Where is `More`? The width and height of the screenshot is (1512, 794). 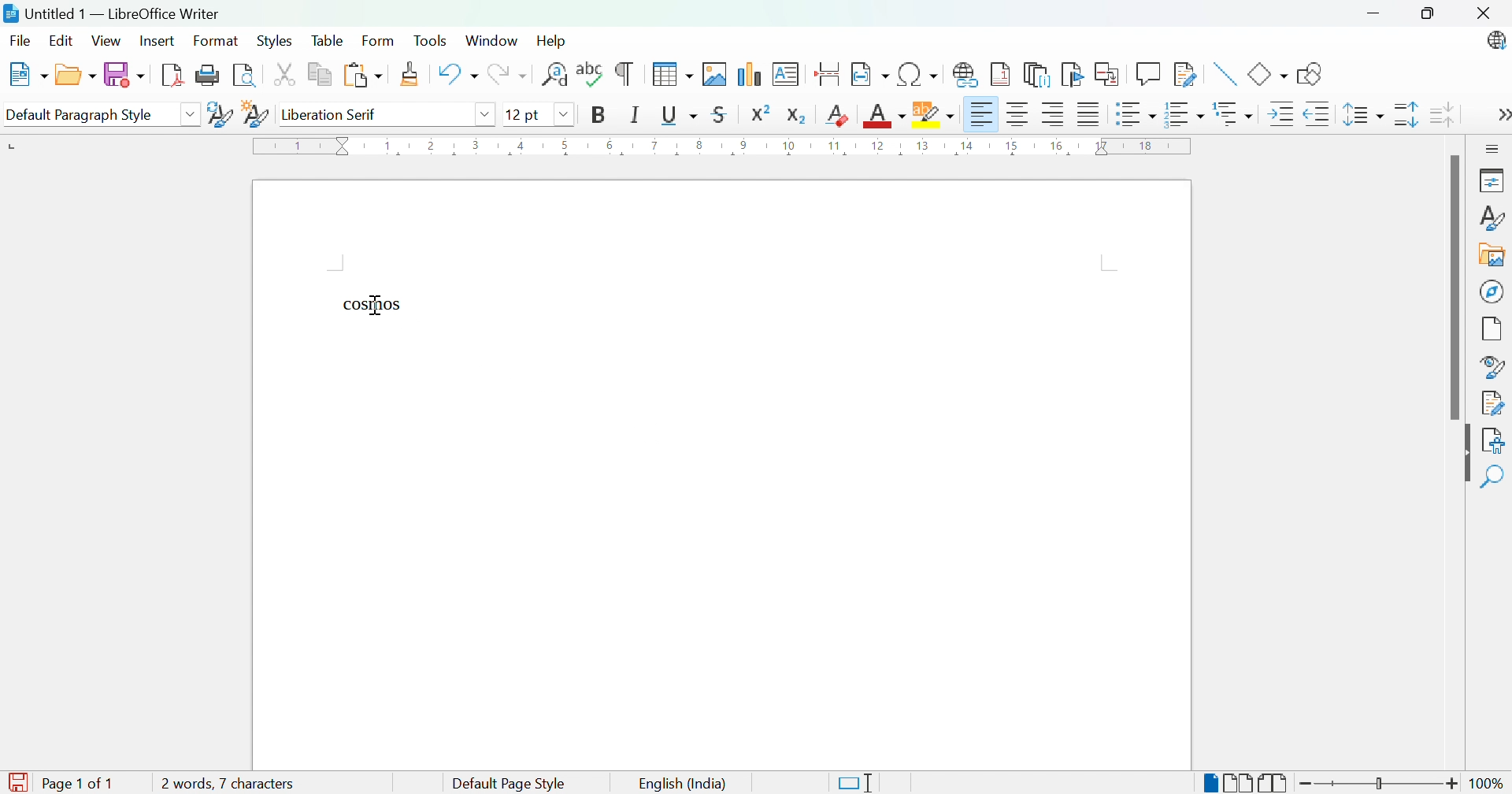
More is located at coordinates (1503, 117).